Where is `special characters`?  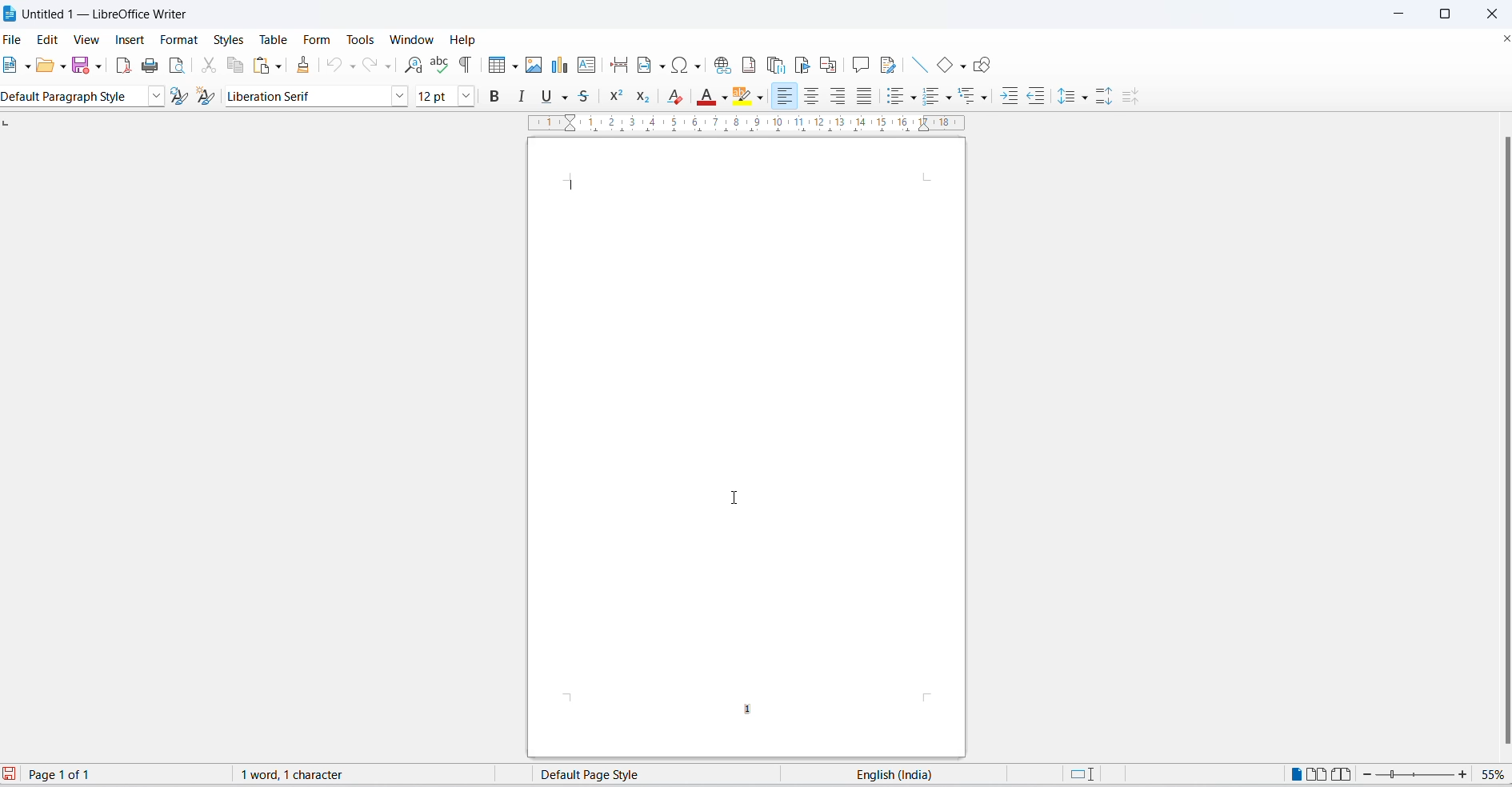 special characters is located at coordinates (689, 66).